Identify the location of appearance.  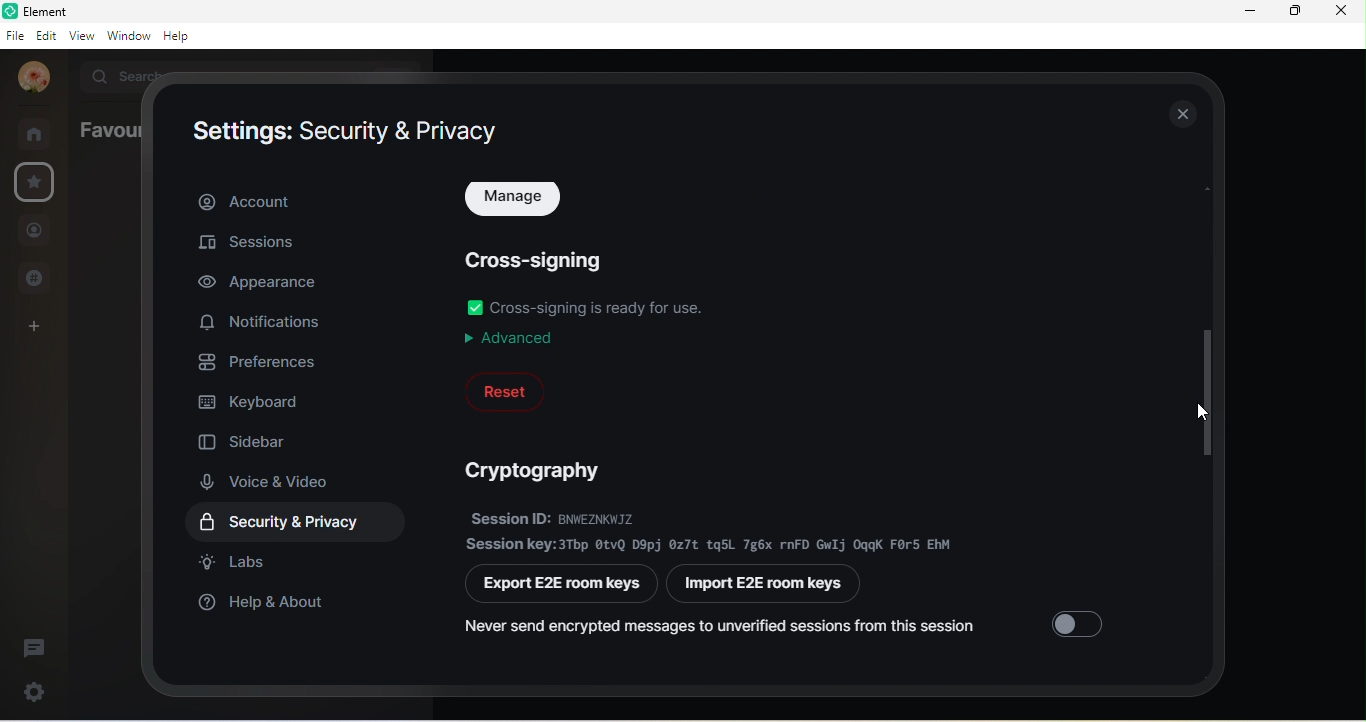
(259, 283).